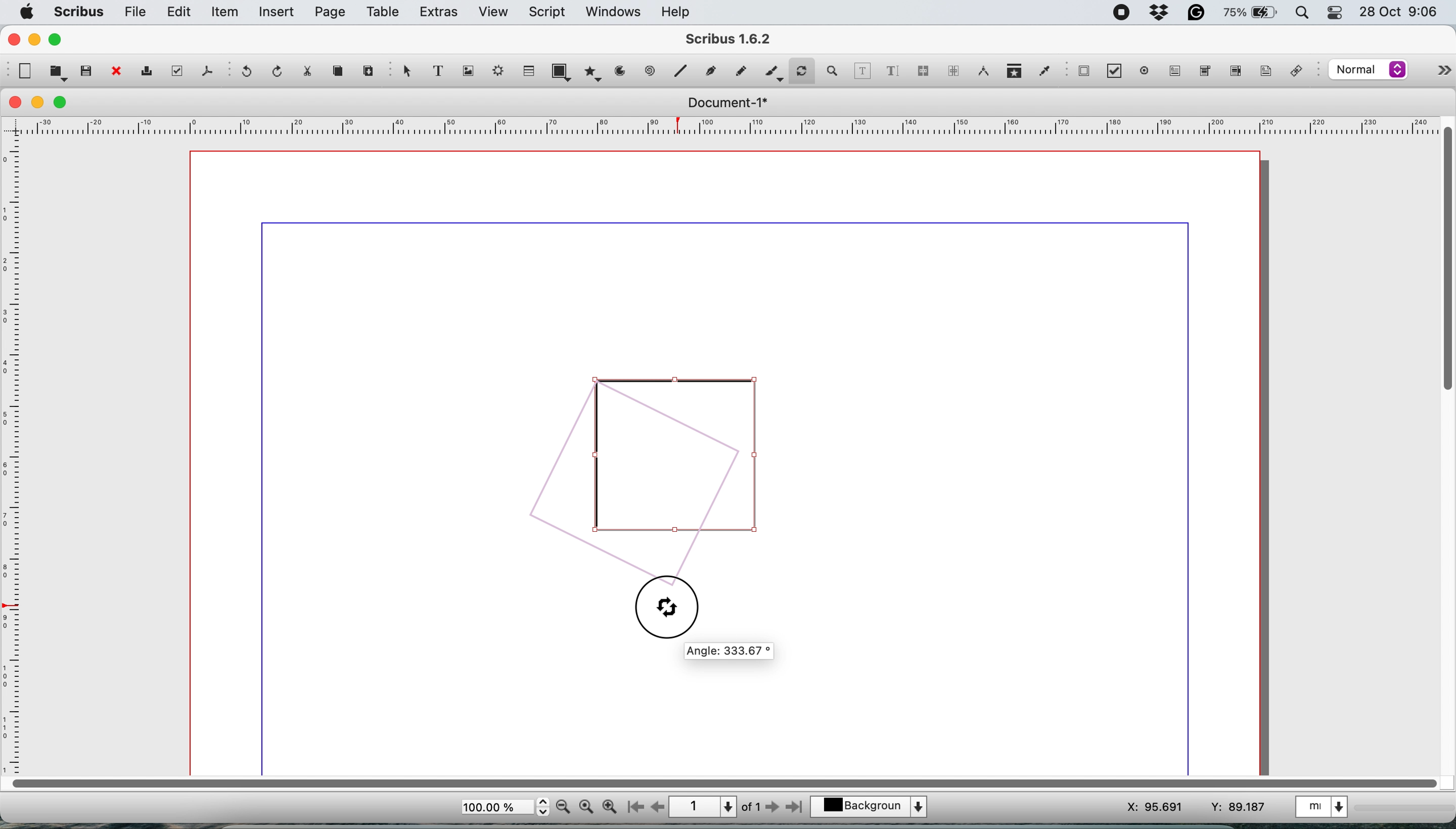 The height and width of the screenshot is (829, 1456). Describe the element at coordinates (439, 13) in the screenshot. I see `extras` at that location.